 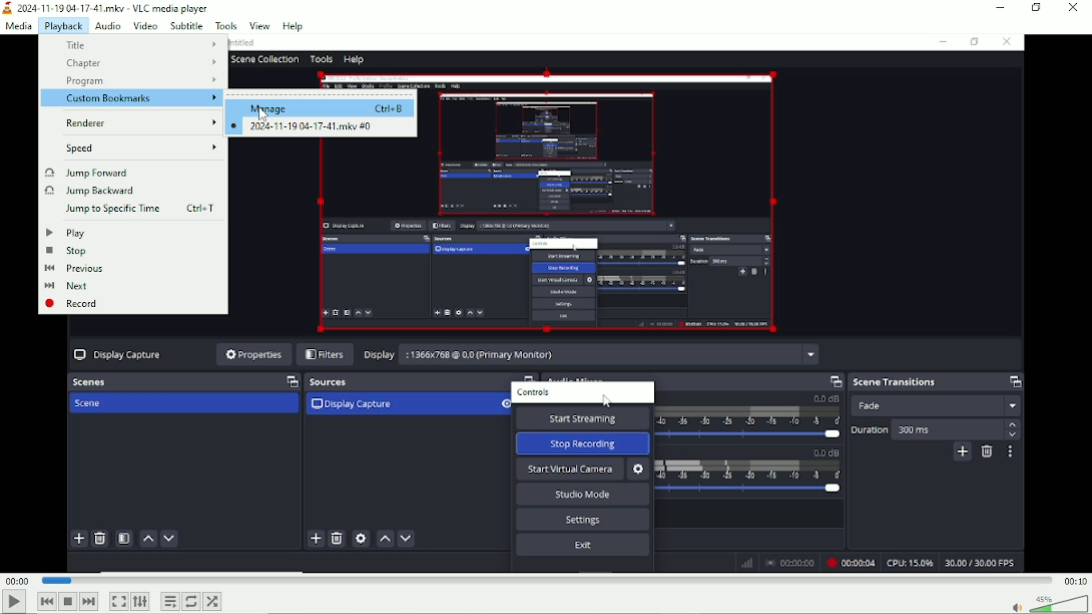 I want to click on Toggle video in fullscreen, so click(x=119, y=602).